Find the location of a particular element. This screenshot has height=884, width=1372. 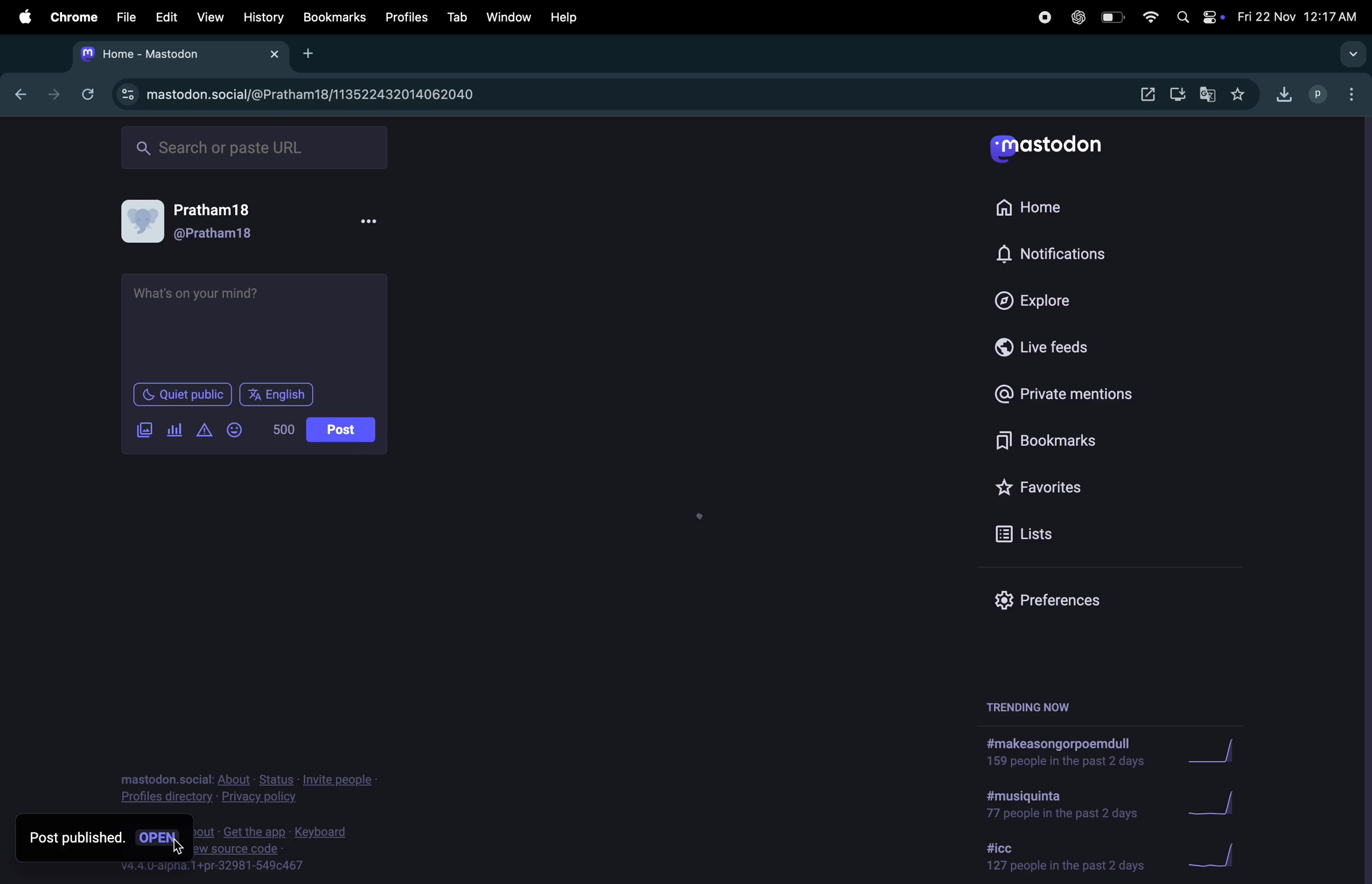

downloads is located at coordinates (1280, 97).